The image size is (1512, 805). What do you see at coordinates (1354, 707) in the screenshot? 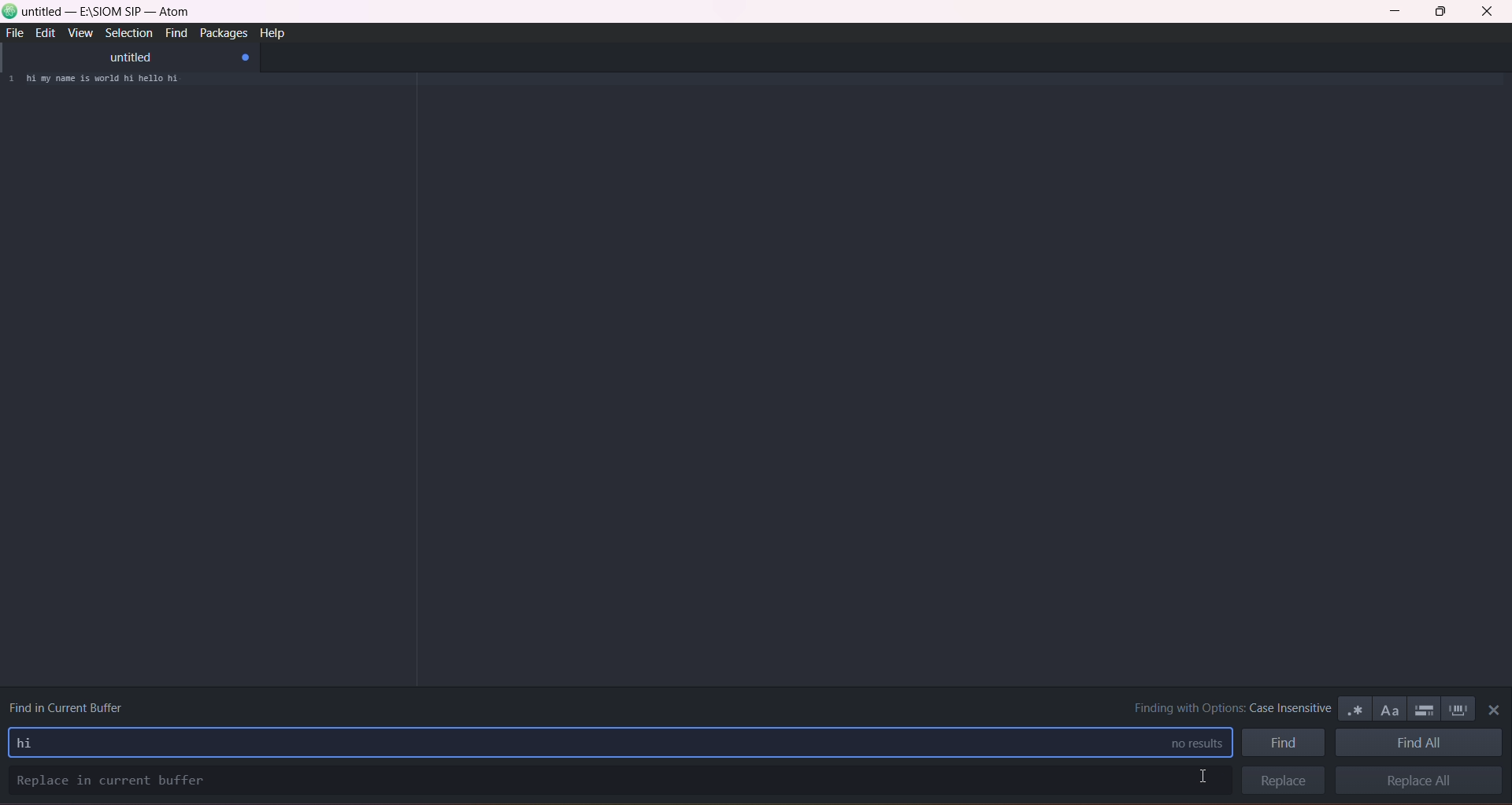
I see `use regex` at bounding box center [1354, 707].